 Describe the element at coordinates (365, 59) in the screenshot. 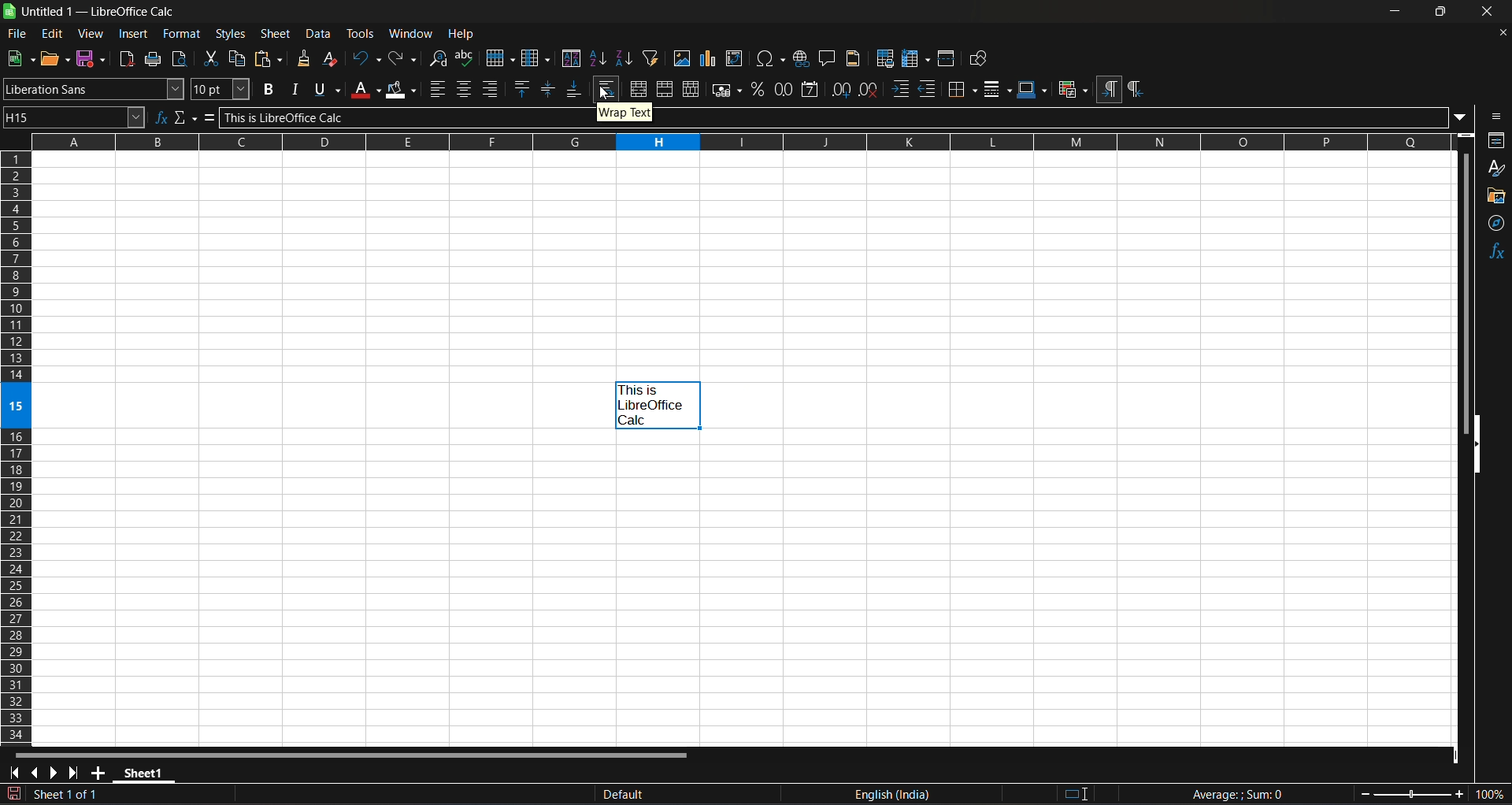

I see `undo` at that location.